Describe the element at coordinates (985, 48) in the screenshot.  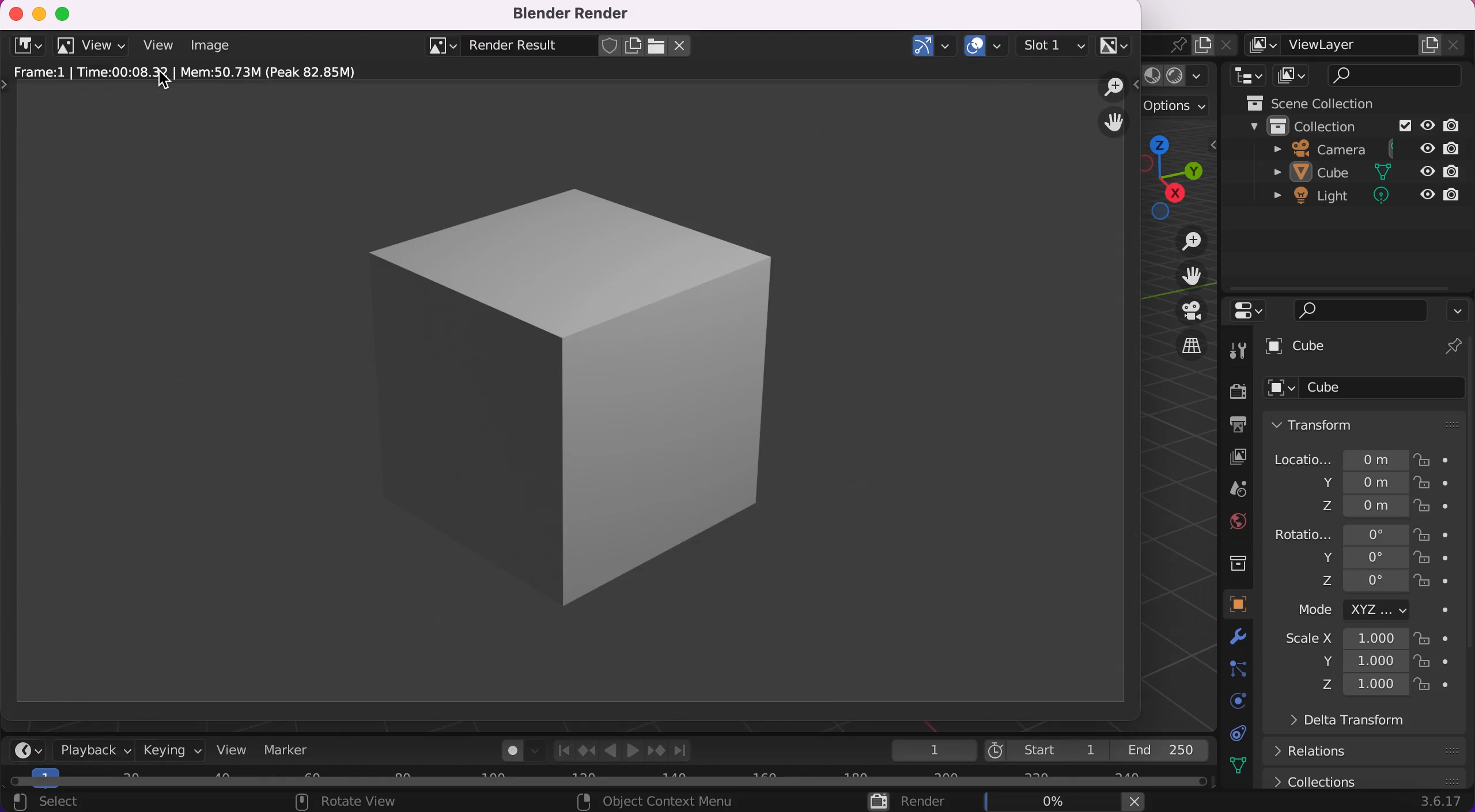
I see `show overlays` at that location.